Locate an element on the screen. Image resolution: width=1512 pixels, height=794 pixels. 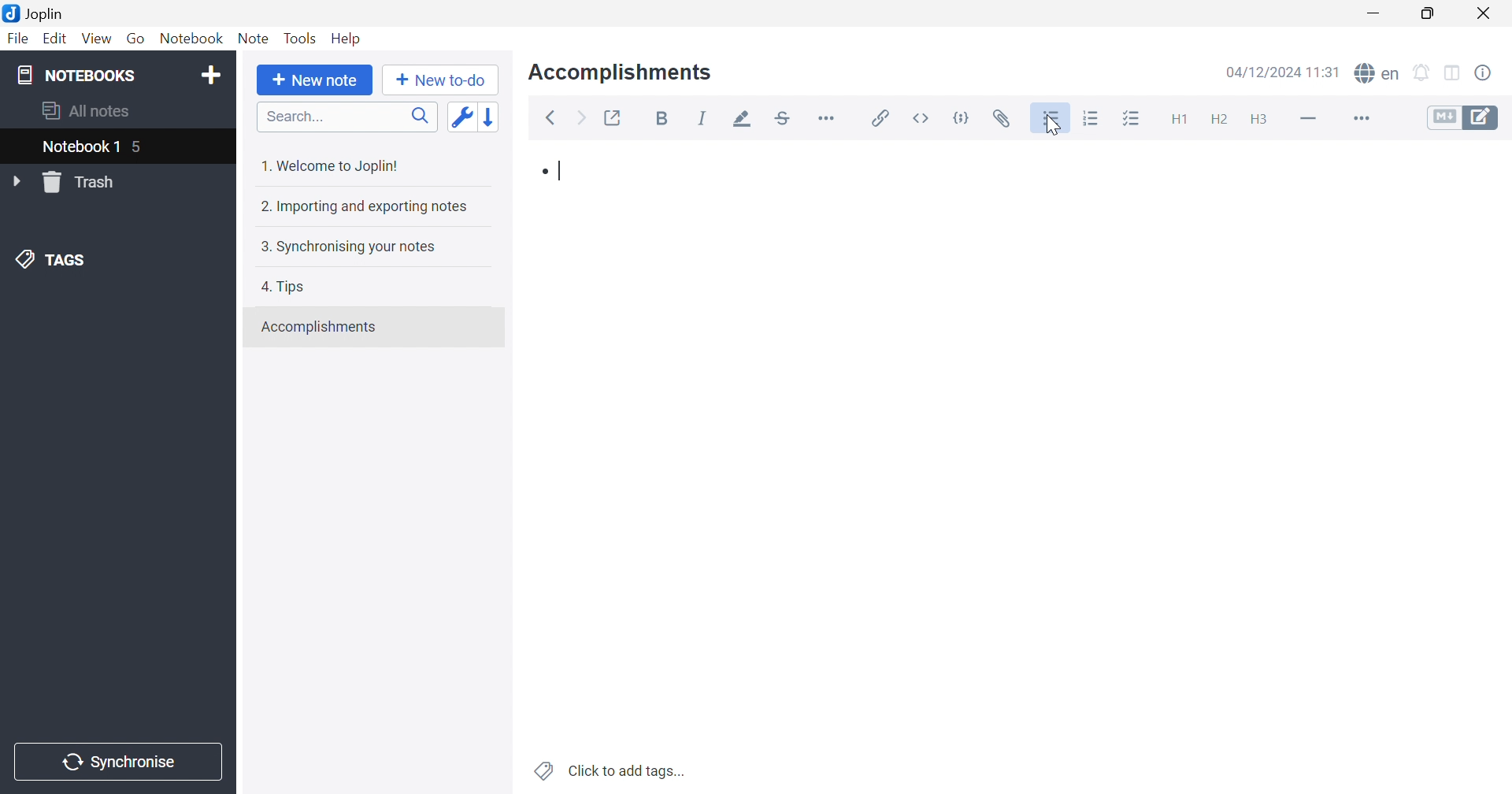
TAGS is located at coordinates (46, 258).